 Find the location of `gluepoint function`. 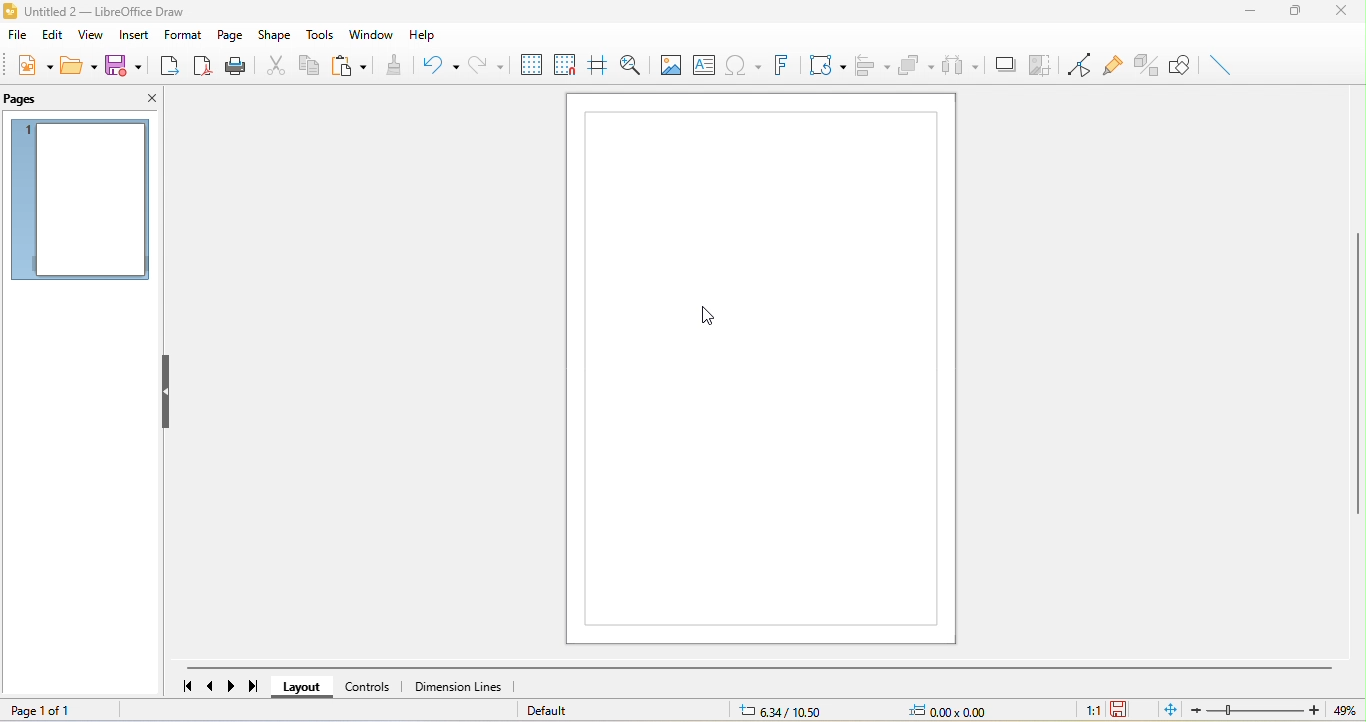

gluepoint function is located at coordinates (1110, 65).